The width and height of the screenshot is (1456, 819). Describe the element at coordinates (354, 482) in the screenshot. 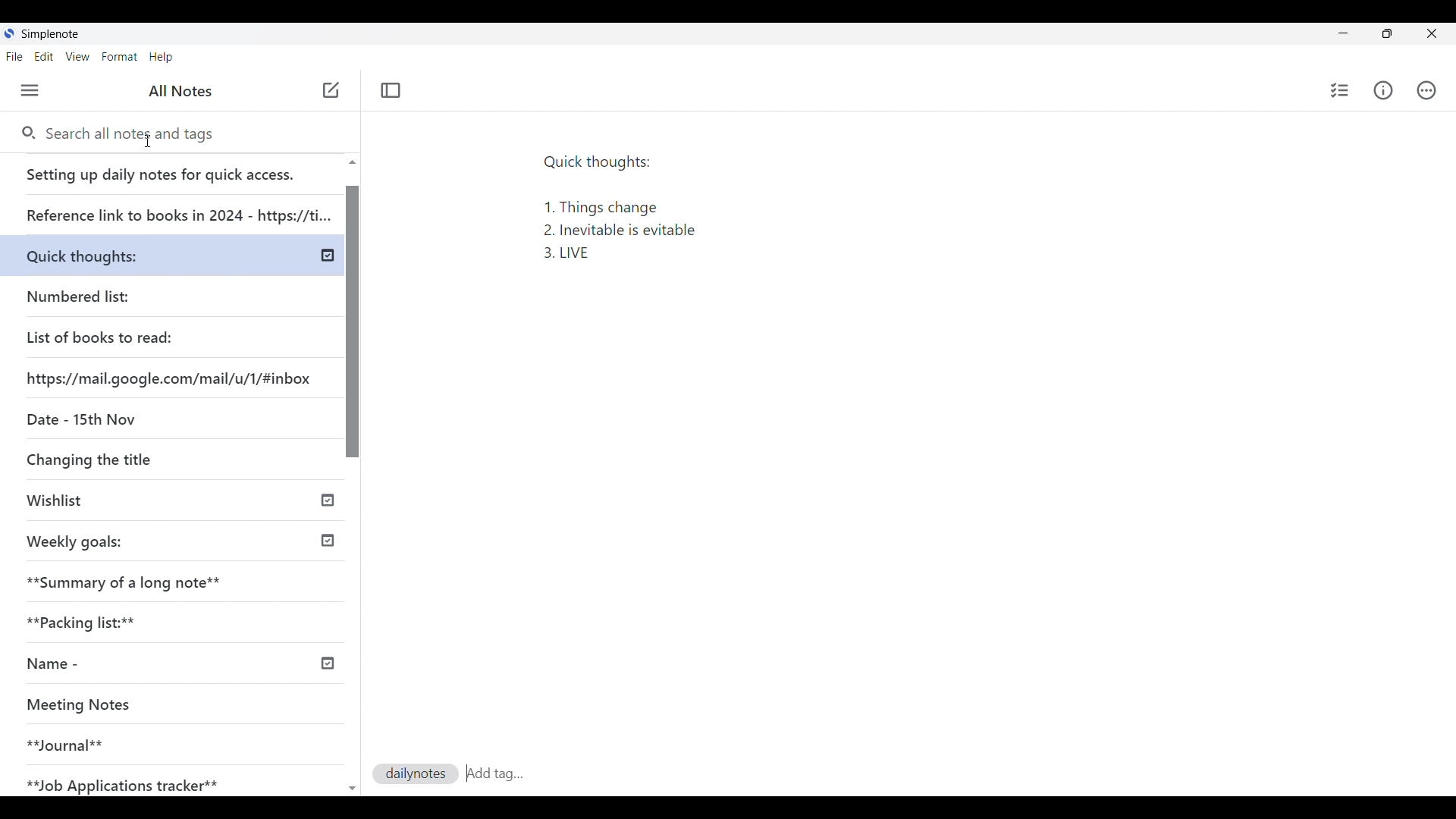

I see `Vertical slide bar` at that location.